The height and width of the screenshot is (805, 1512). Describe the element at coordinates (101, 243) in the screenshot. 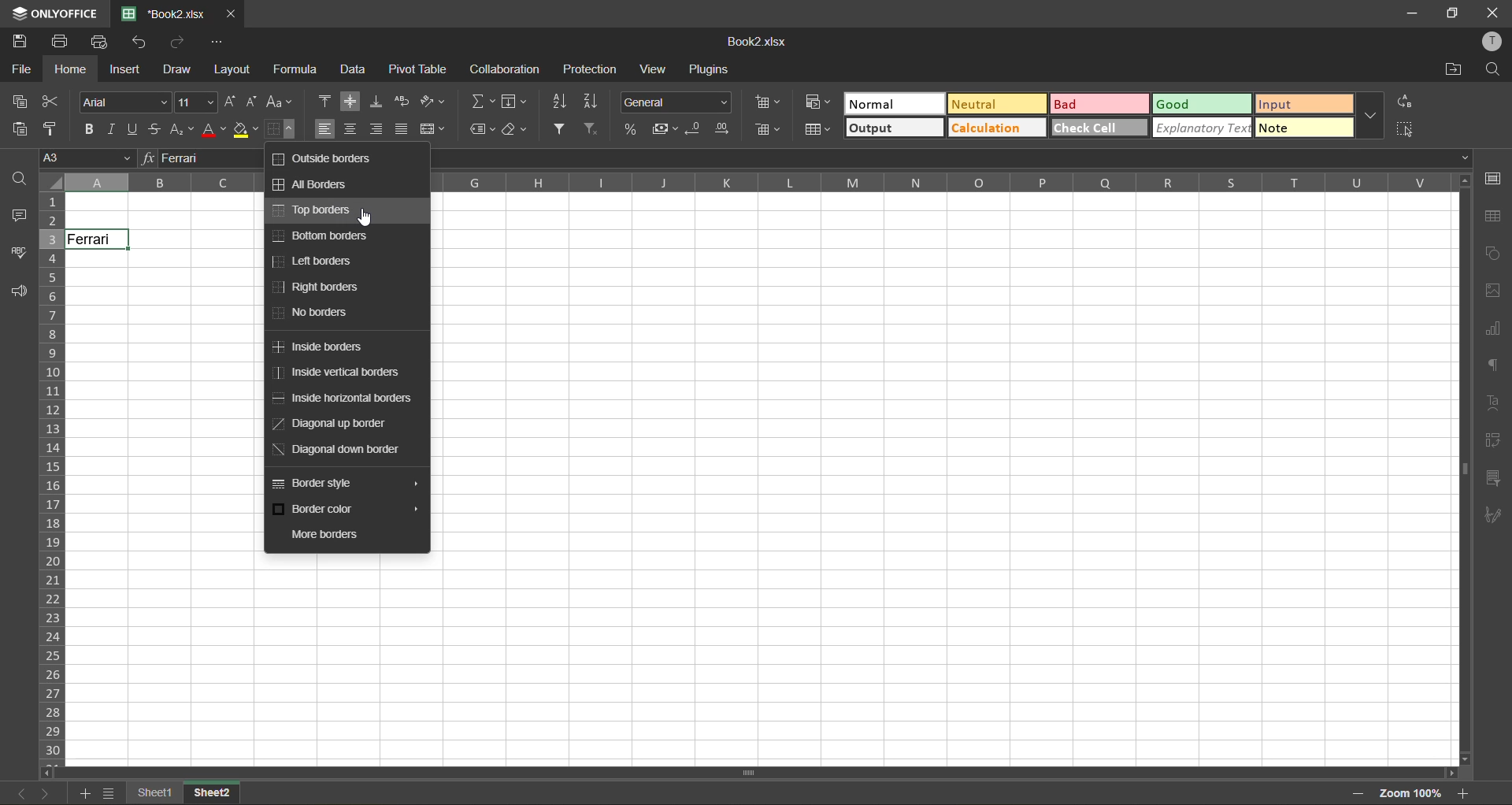

I see `Ferrari` at that location.